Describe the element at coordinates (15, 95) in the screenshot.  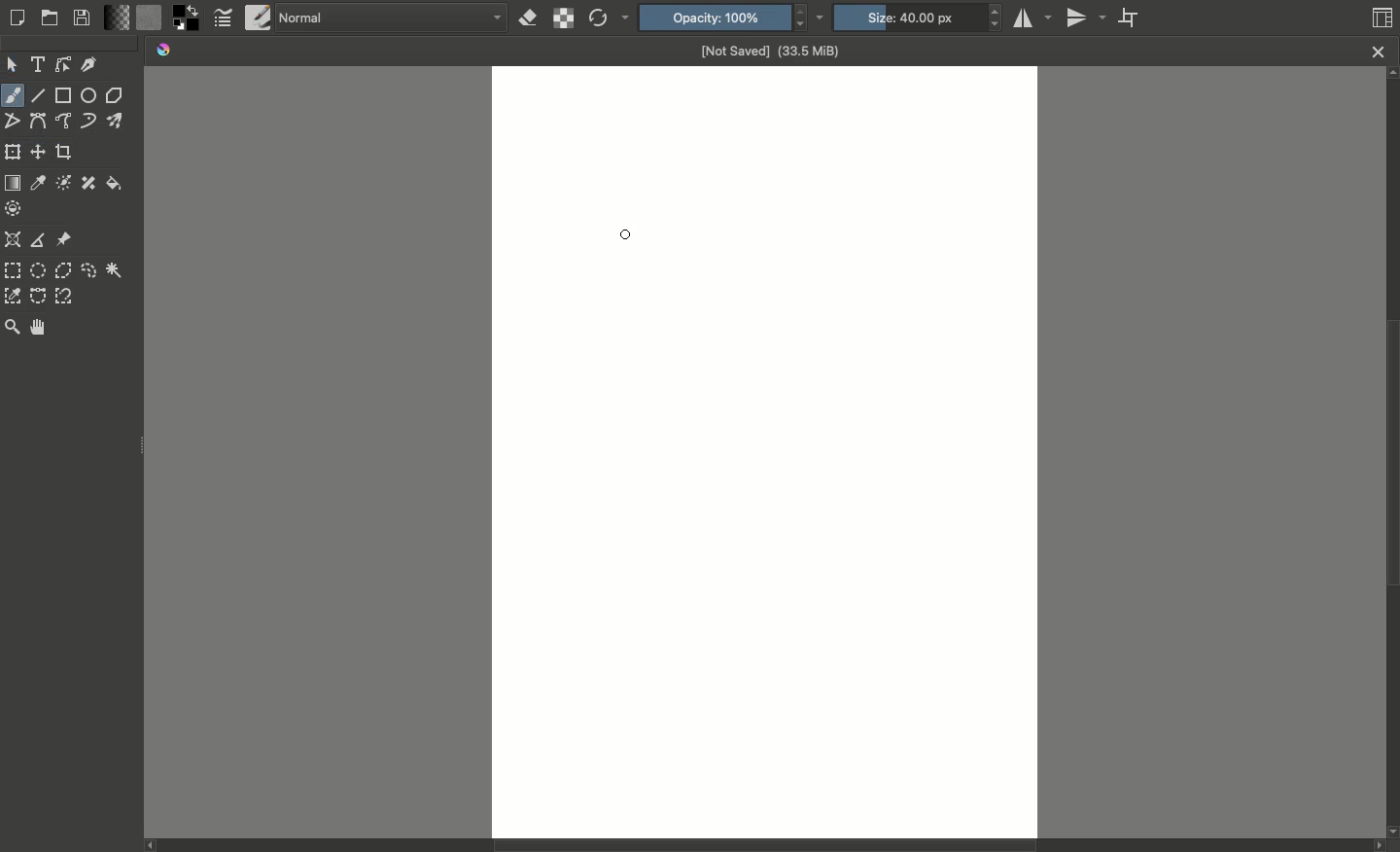
I see `Freehand brush tool` at that location.